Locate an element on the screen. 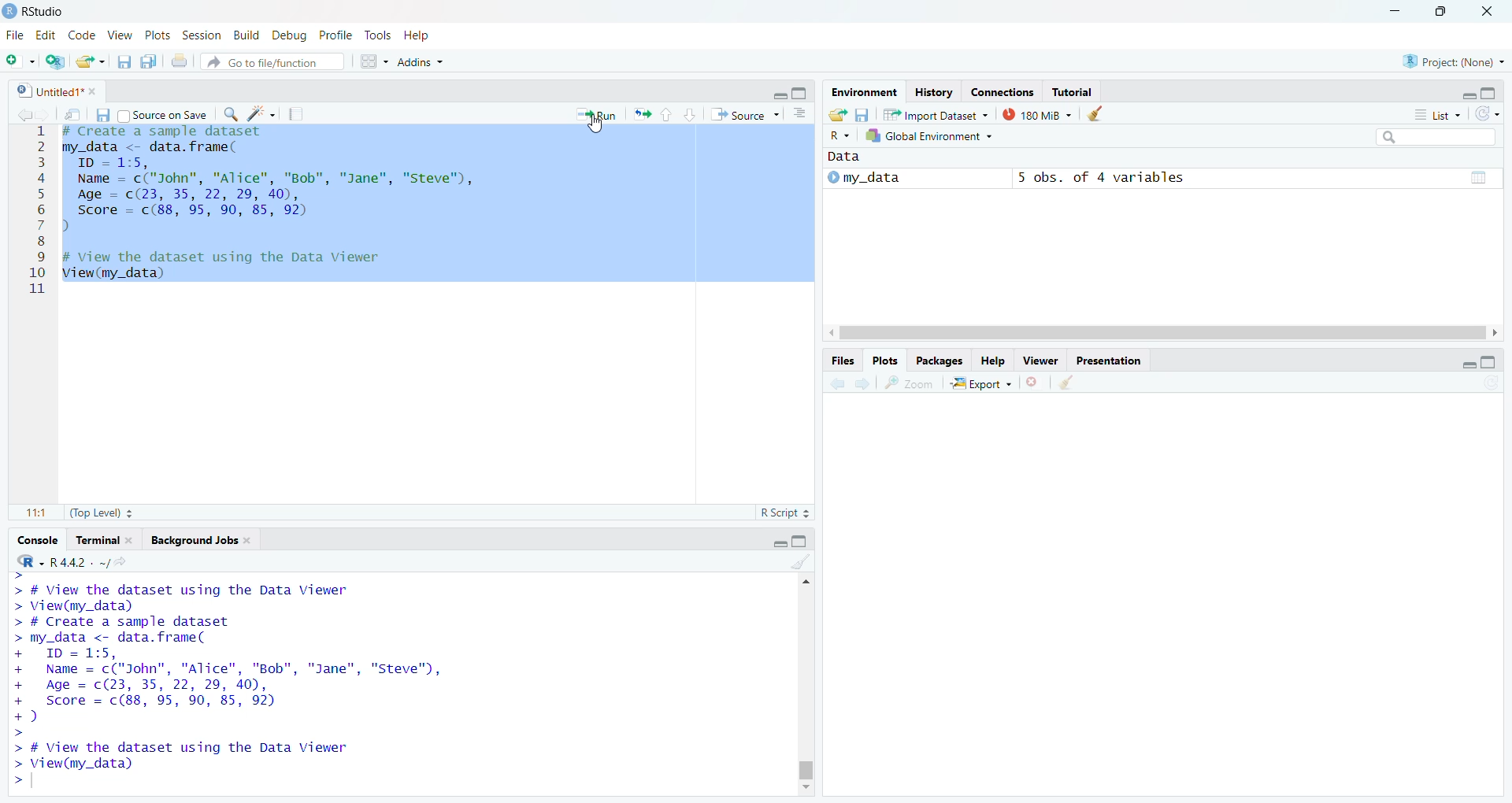 Image resolution: width=1512 pixels, height=803 pixels. Top Level is located at coordinates (98, 513).